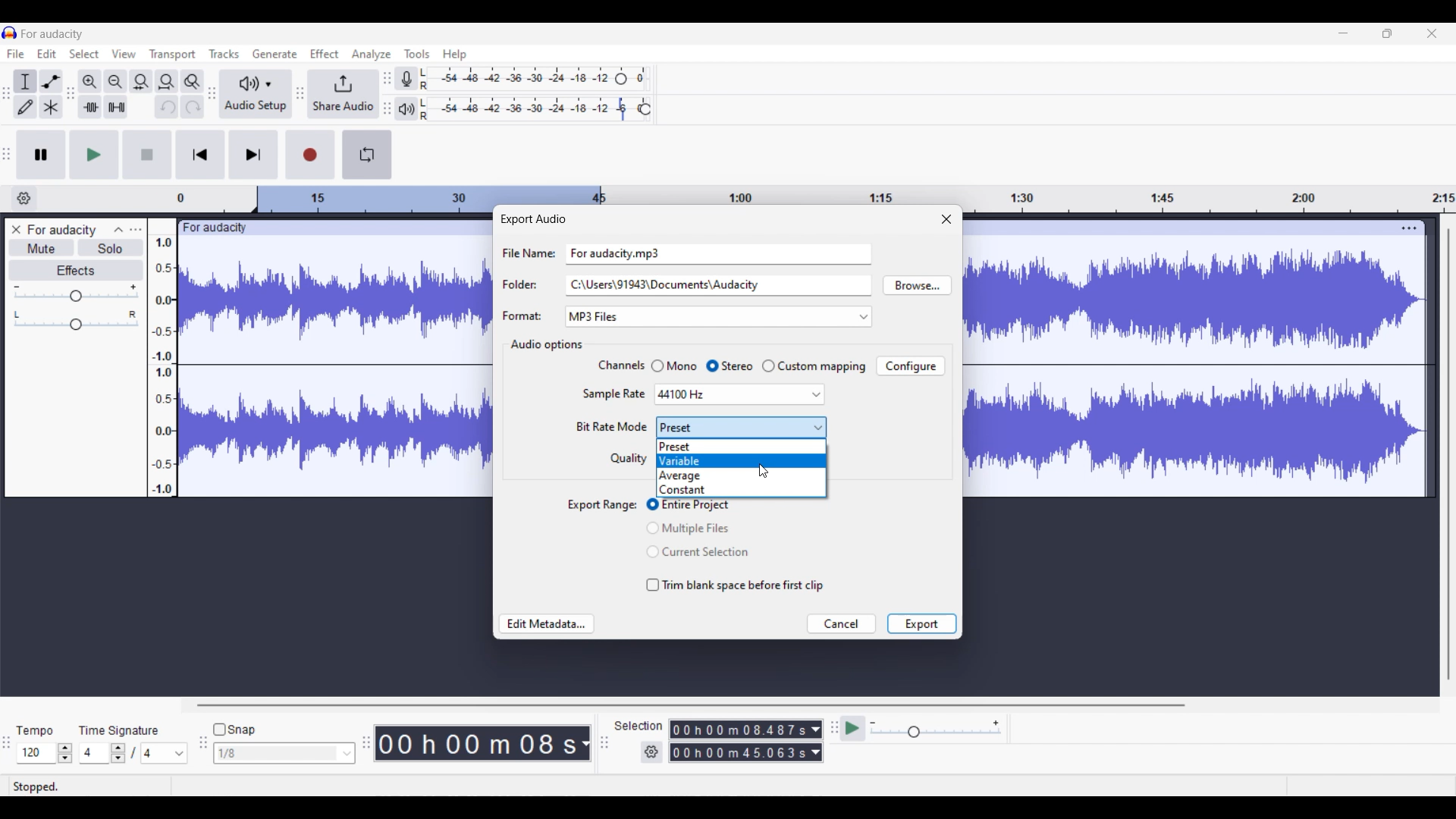 The image size is (1456, 819). What do you see at coordinates (284, 753) in the screenshot?
I see `Snap options` at bounding box center [284, 753].